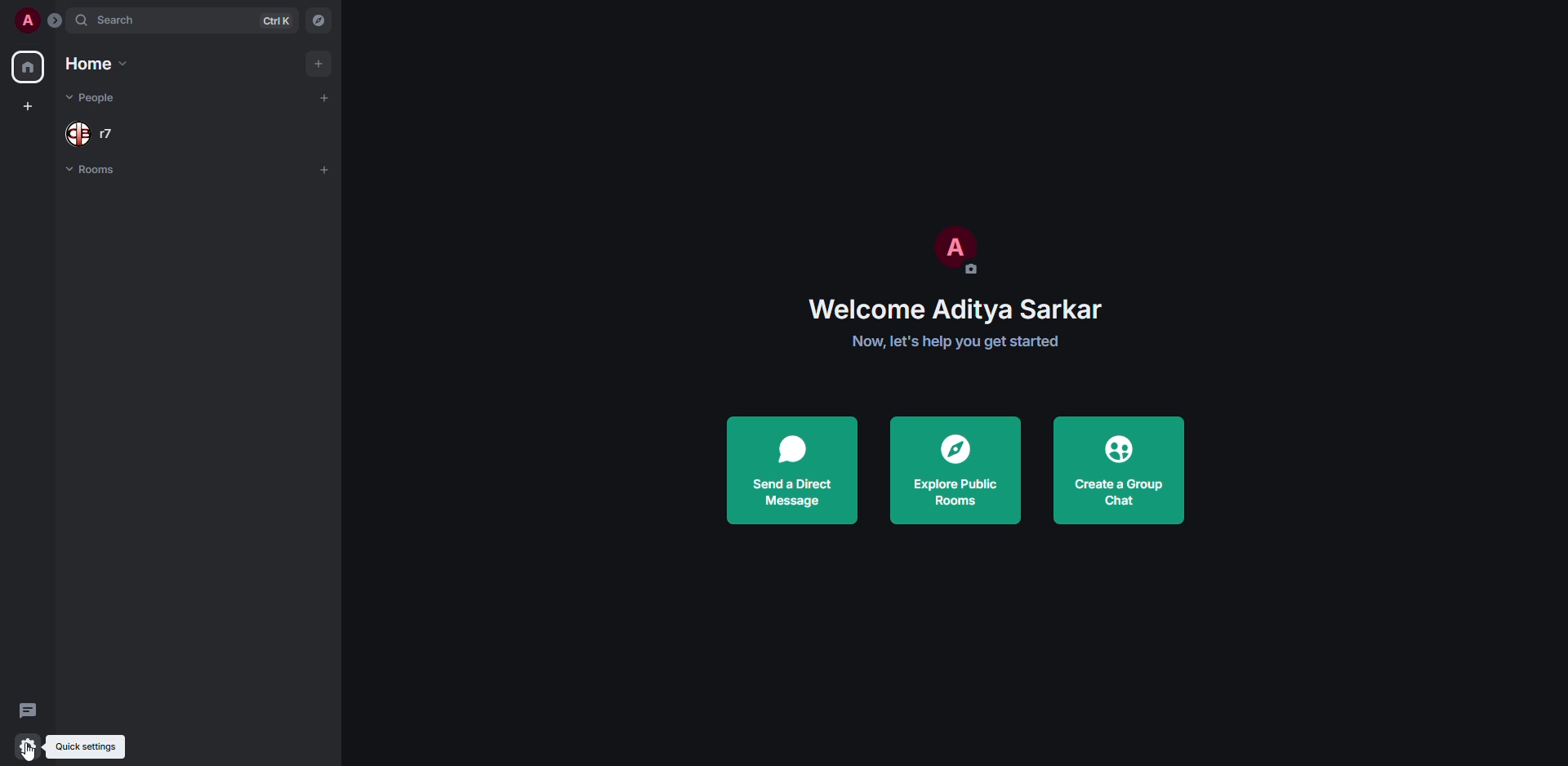  What do you see at coordinates (955, 309) in the screenshot?
I see `welcome` at bounding box center [955, 309].